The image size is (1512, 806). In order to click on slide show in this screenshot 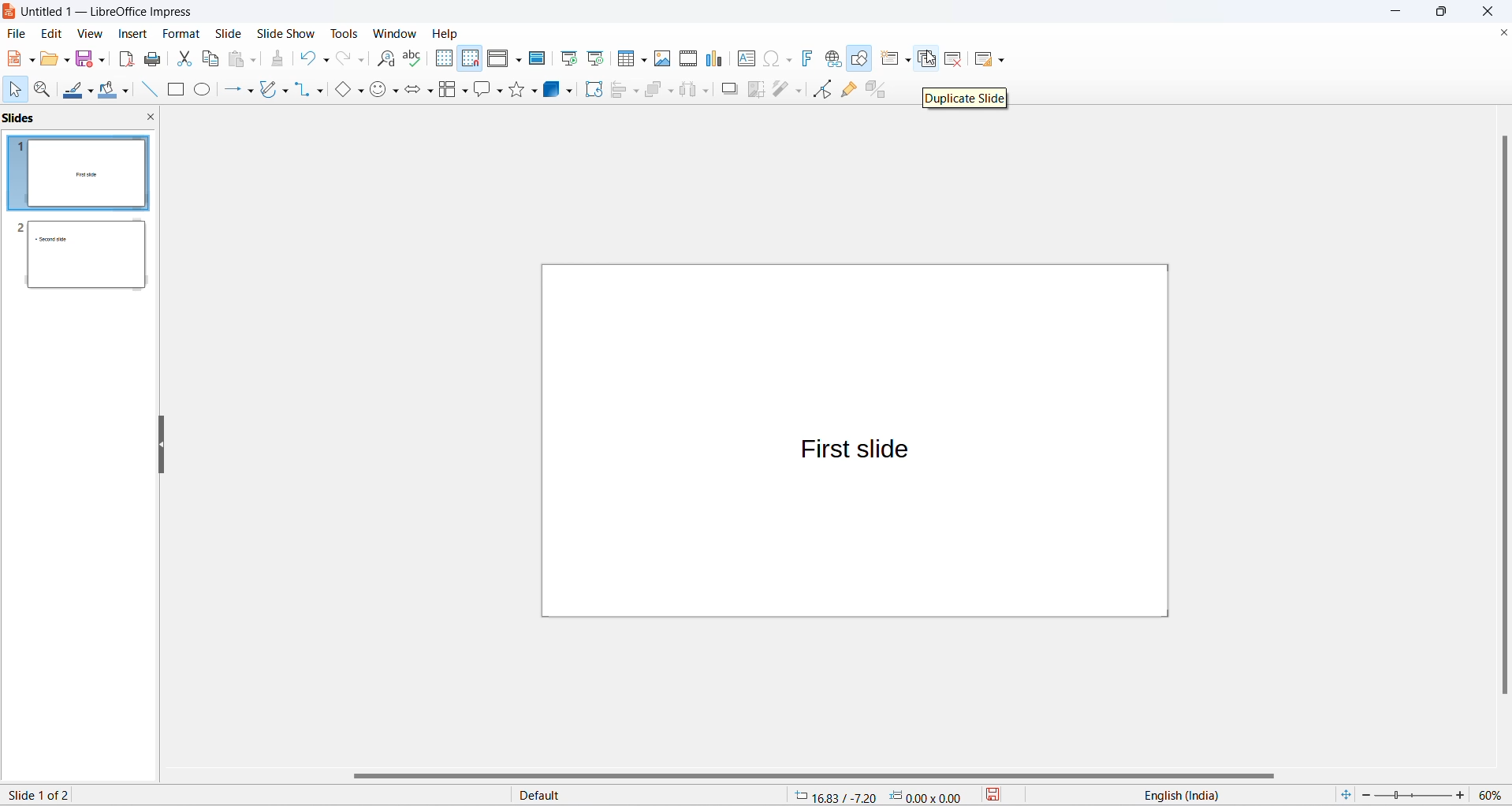, I will do `click(284, 31)`.